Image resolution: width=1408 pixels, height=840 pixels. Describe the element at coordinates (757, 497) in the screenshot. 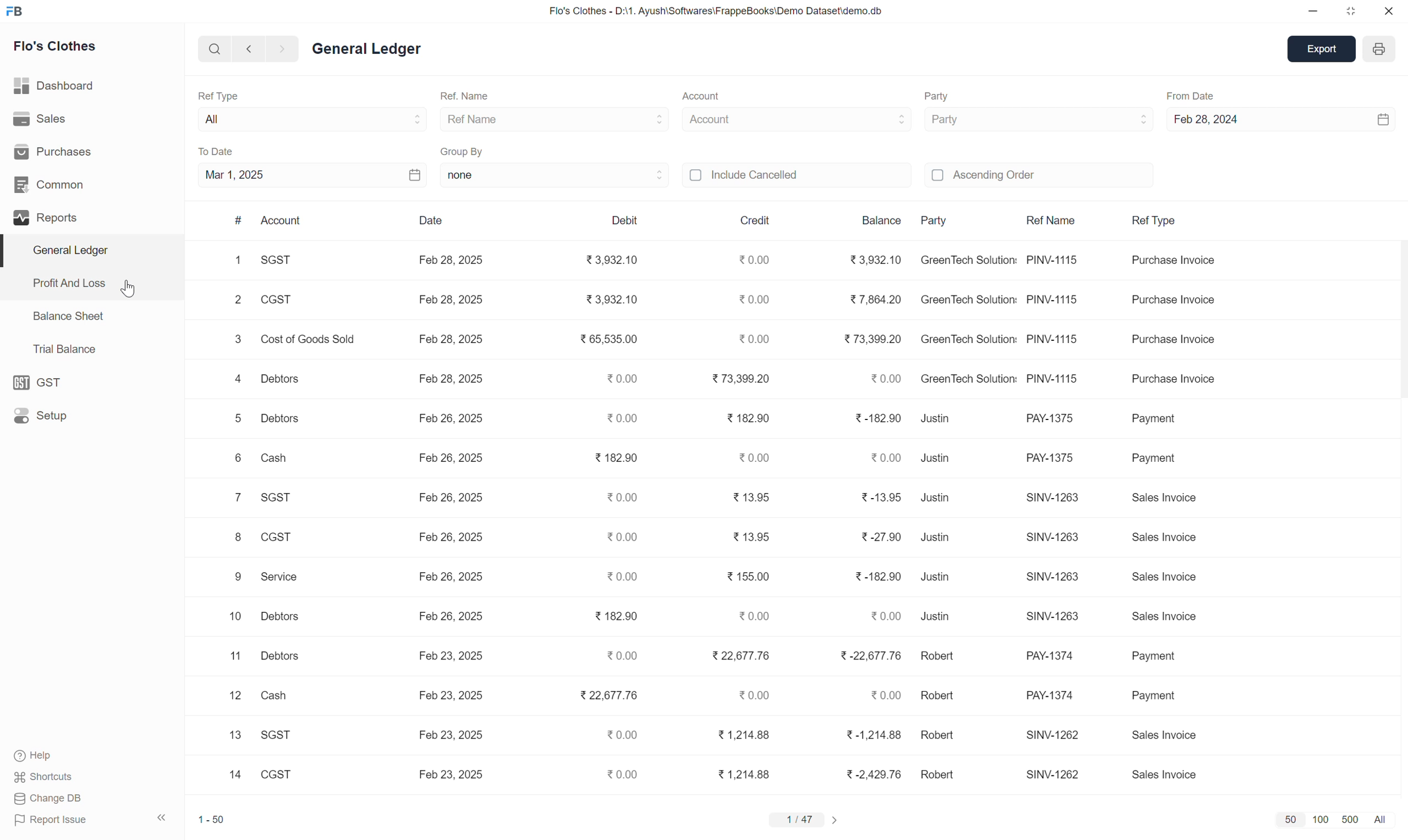

I see `₹13.95` at that location.